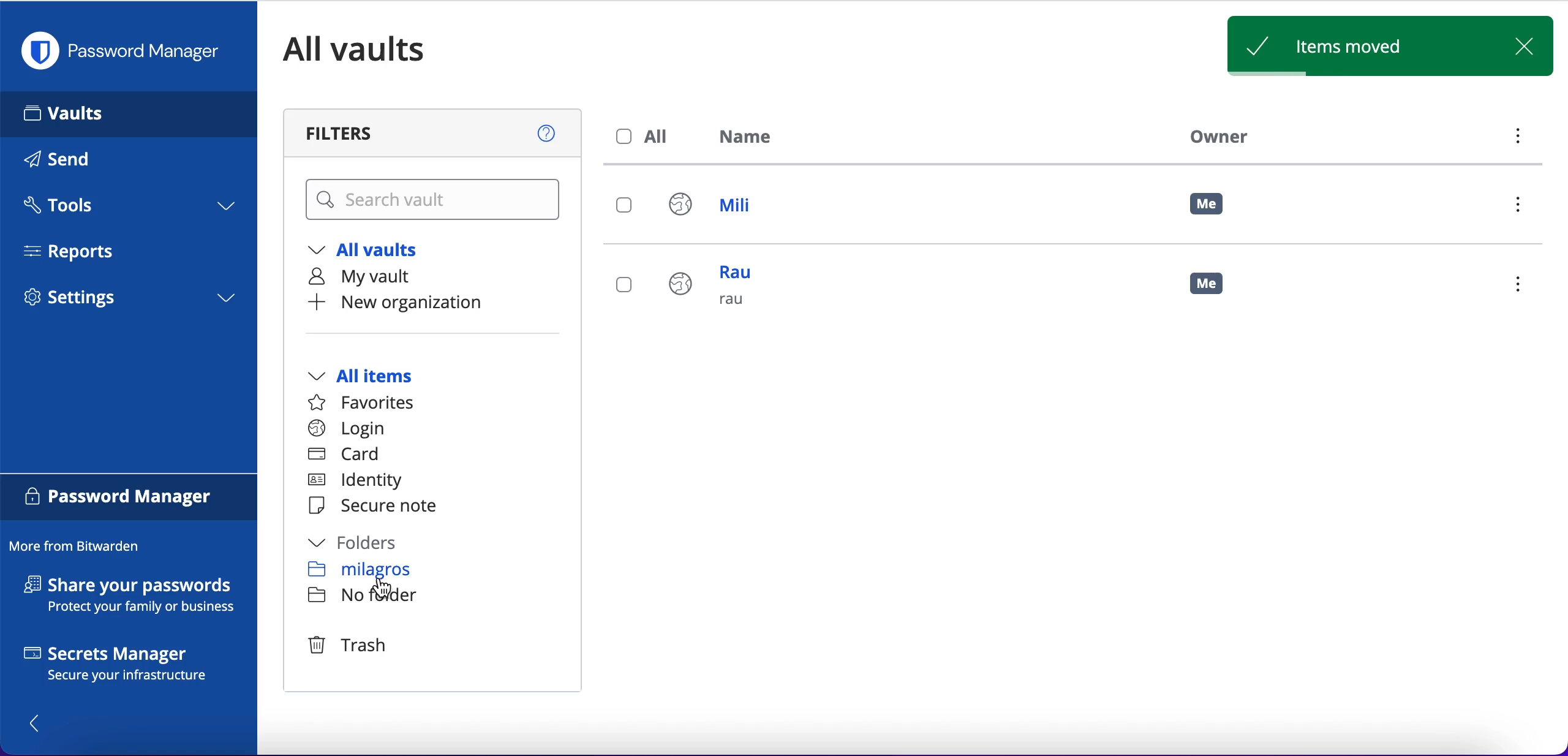  I want to click on search vault, so click(435, 200).